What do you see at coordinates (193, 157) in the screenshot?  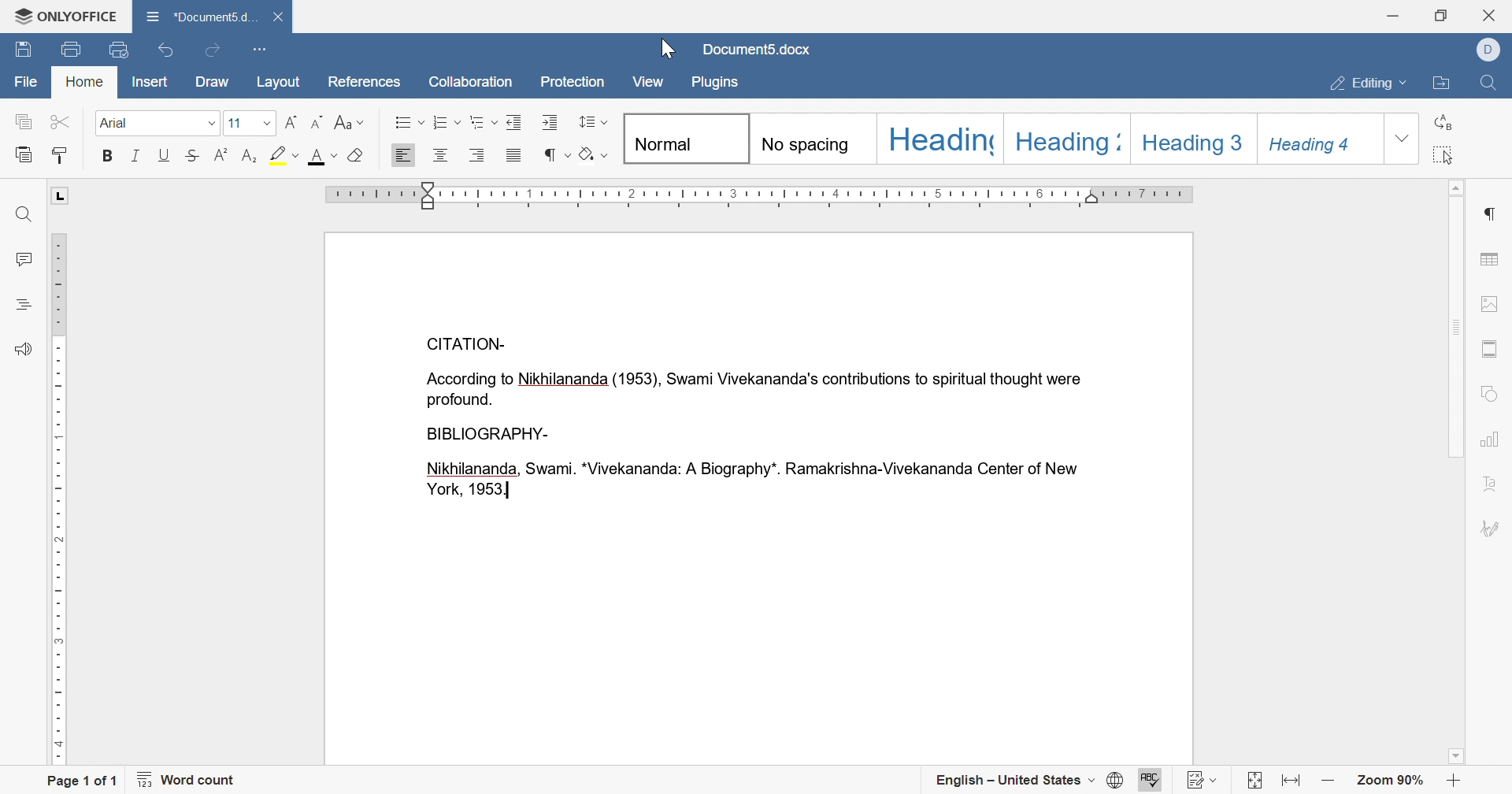 I see `strikethrough` at bounding box center [193, 157].